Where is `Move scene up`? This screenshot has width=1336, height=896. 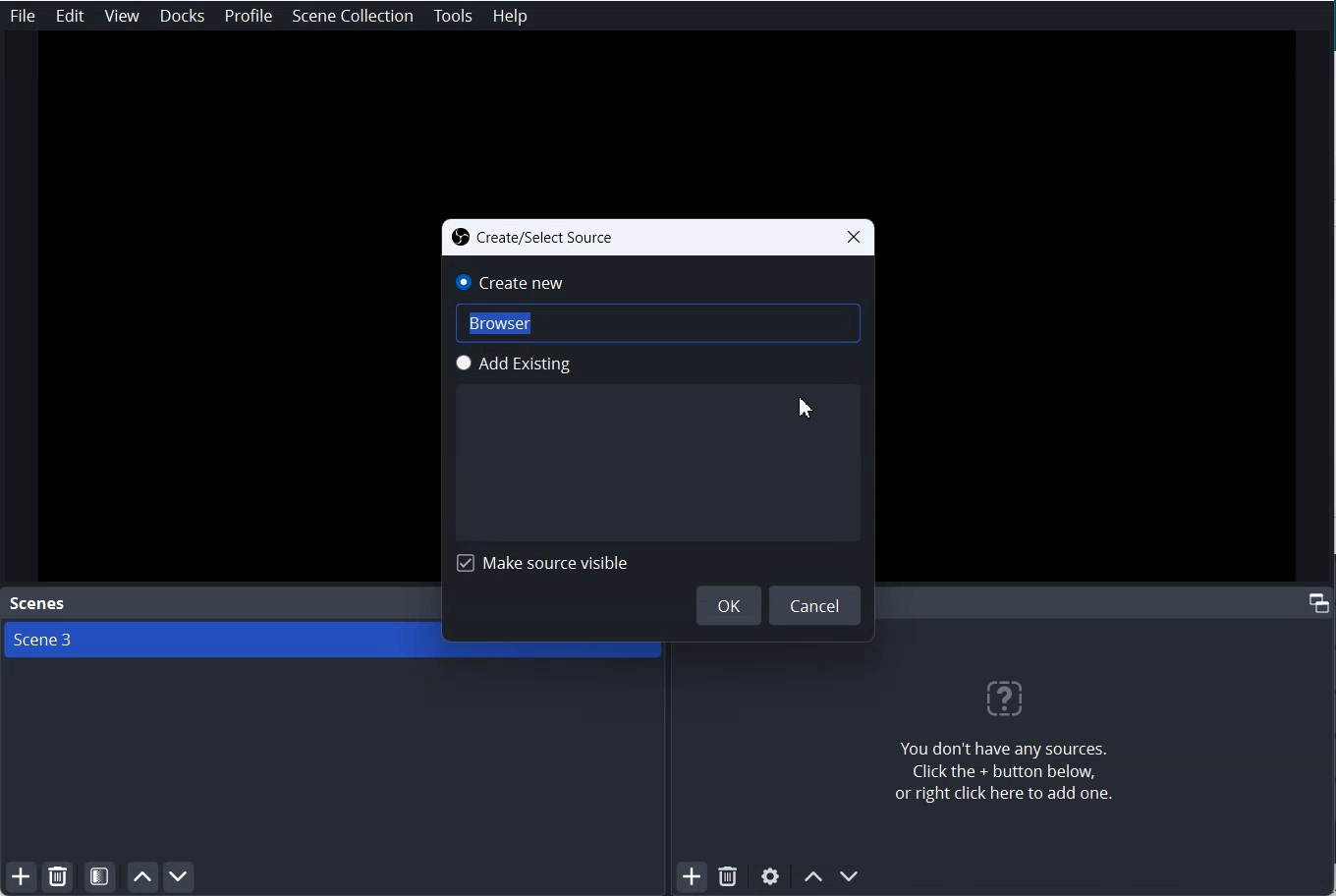 Move scene up is located at coordinates (141, 877).